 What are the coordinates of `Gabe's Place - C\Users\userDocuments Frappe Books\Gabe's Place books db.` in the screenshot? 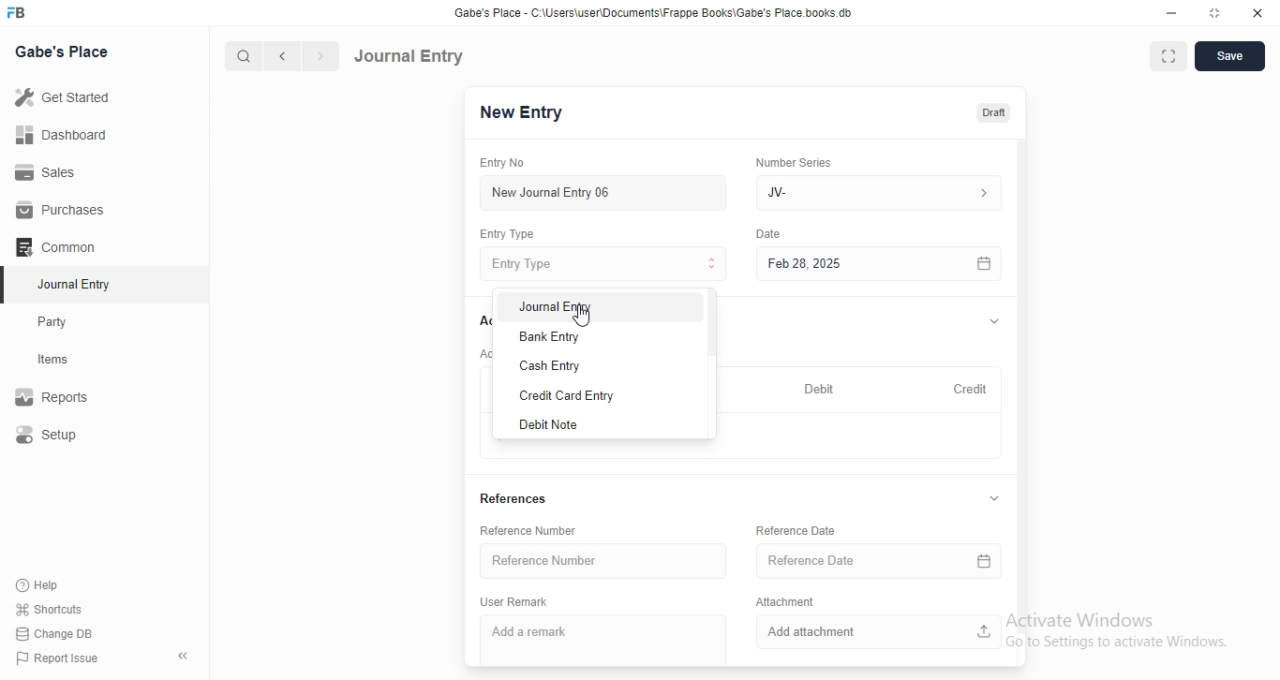 It's located at (654, 13).